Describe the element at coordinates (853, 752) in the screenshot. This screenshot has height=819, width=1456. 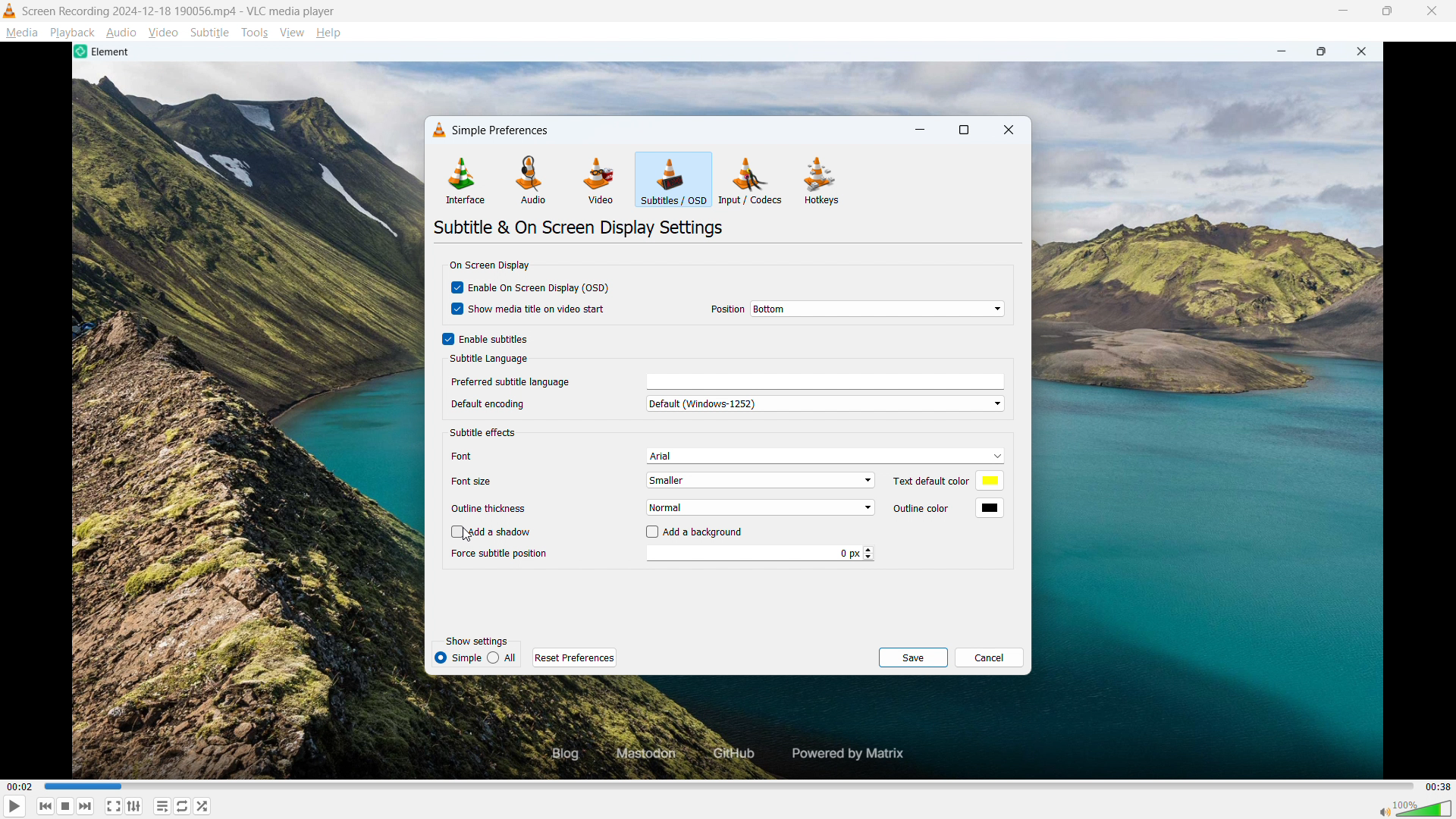
I see `Powered by Matrix` at that location.